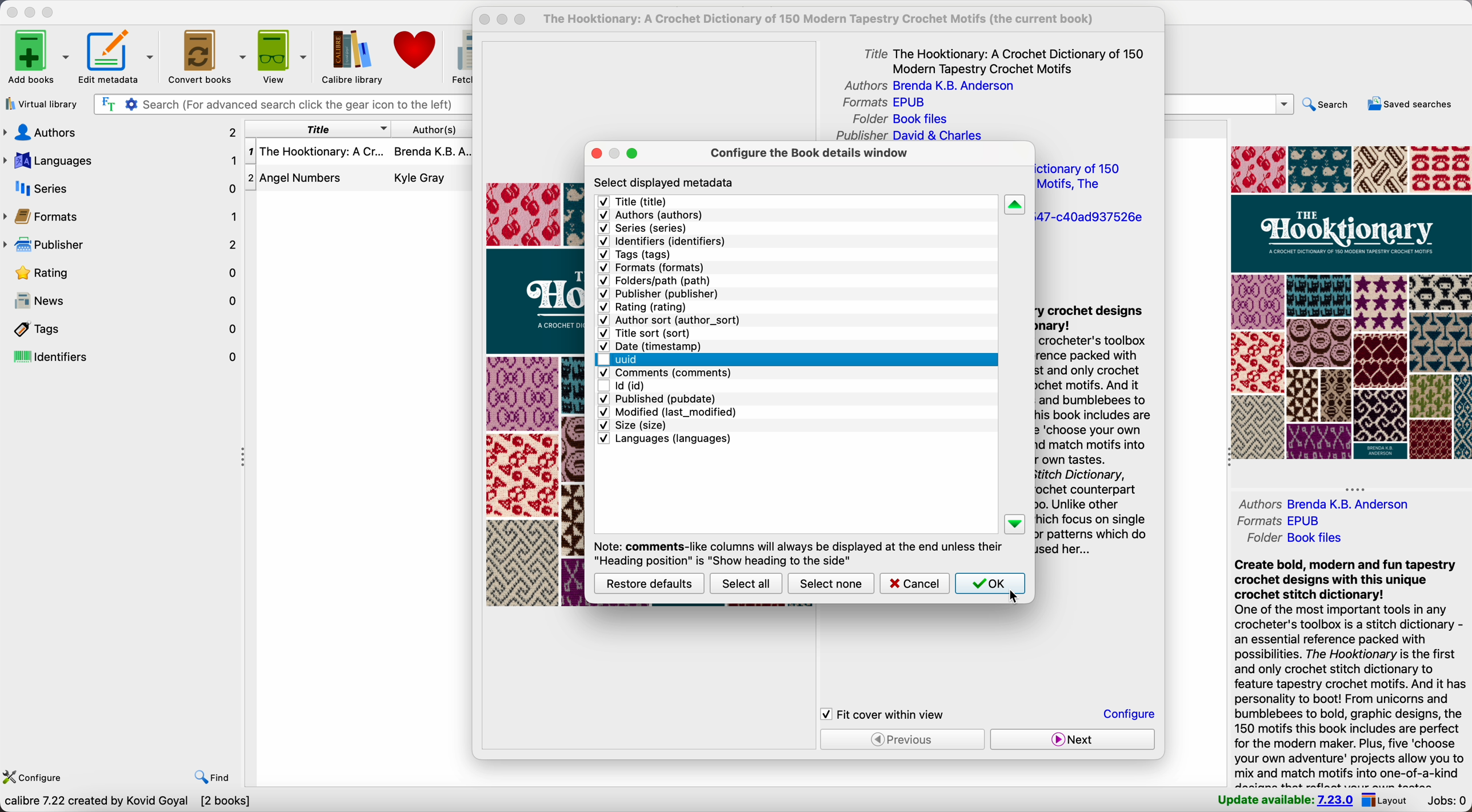 This screenshot has height=812, width=1472. What do you see at coordinates (1230, 104) in the screenshot?
I see `search bar` at bounding box center [1230, 104].